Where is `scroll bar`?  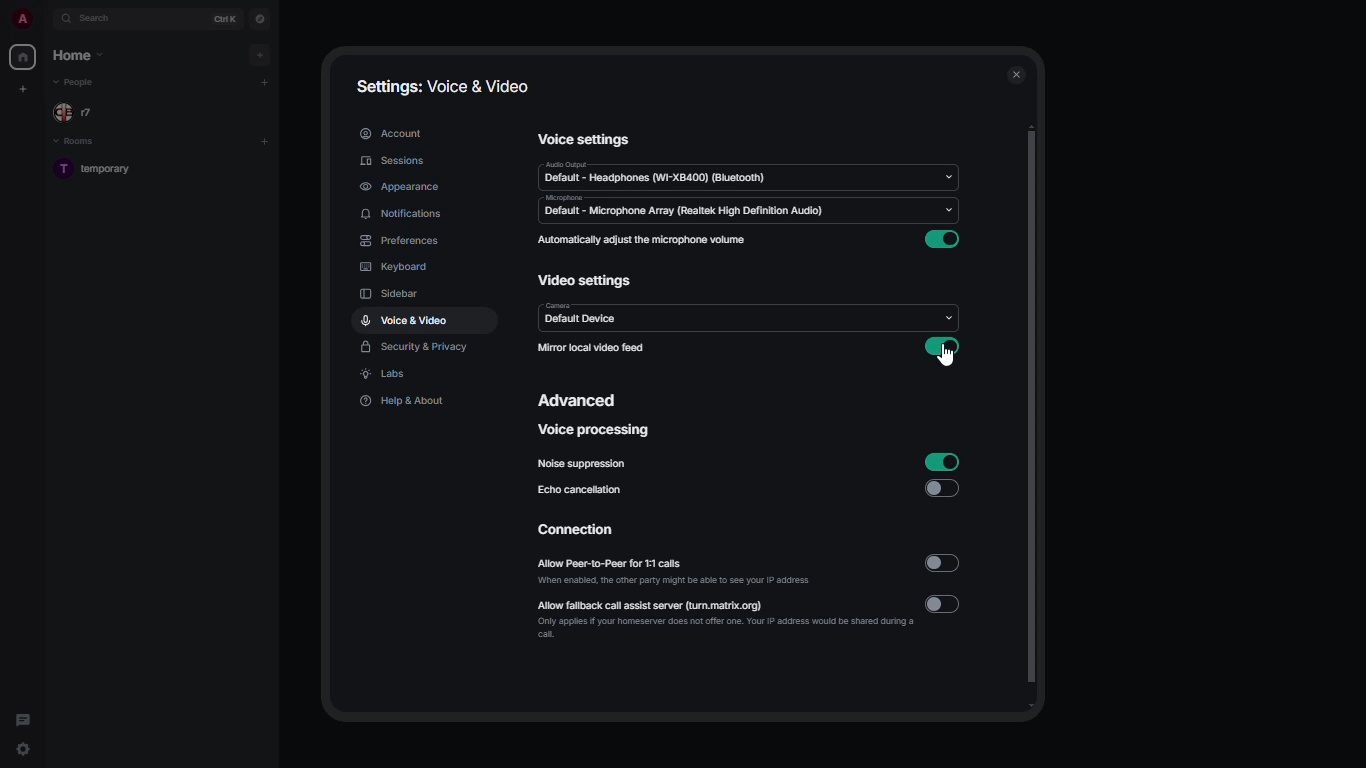
scroll bar is located at coordinates (1032, 419).